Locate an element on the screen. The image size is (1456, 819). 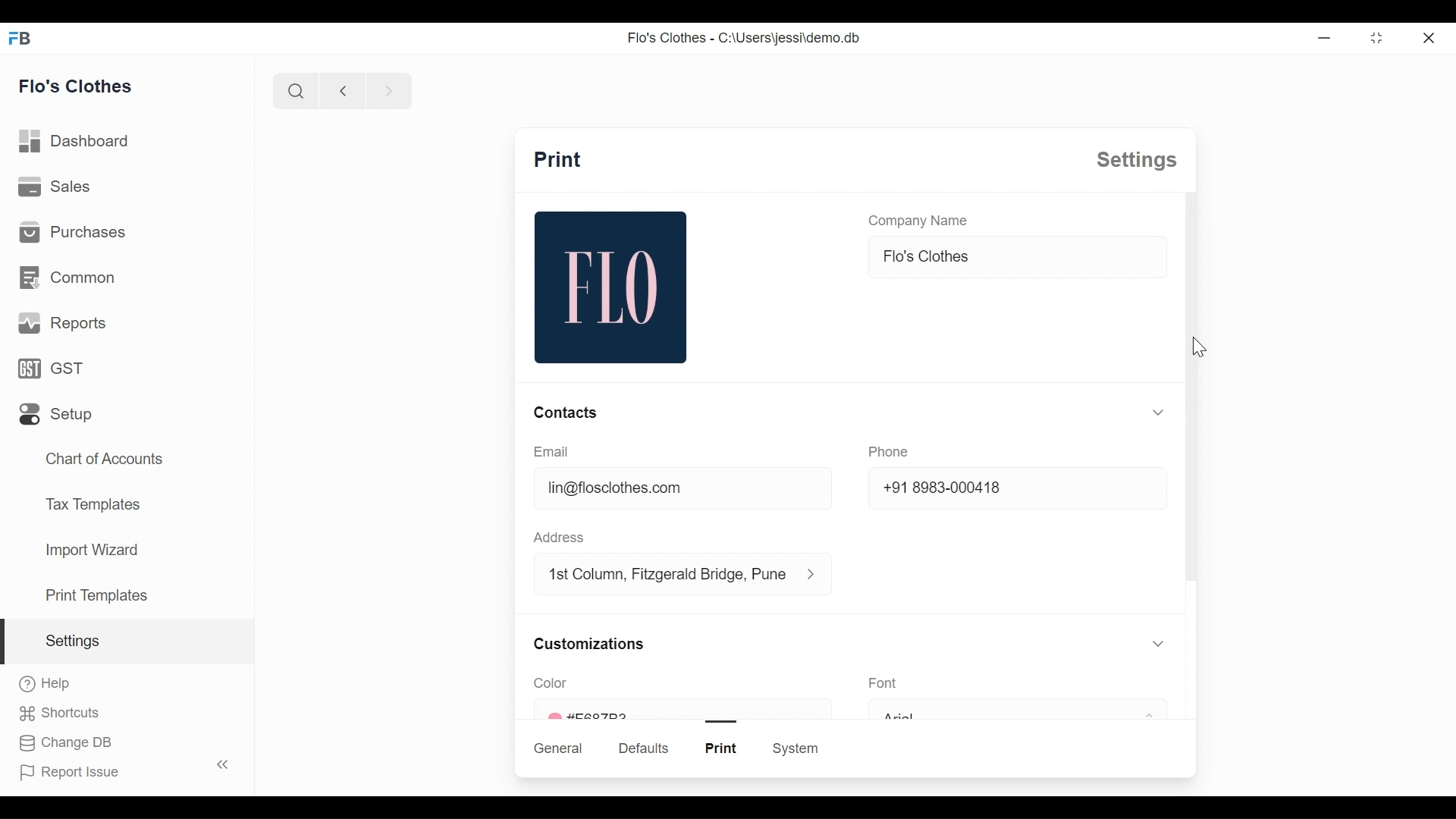
import wizard is located at coordinates (91, 550).